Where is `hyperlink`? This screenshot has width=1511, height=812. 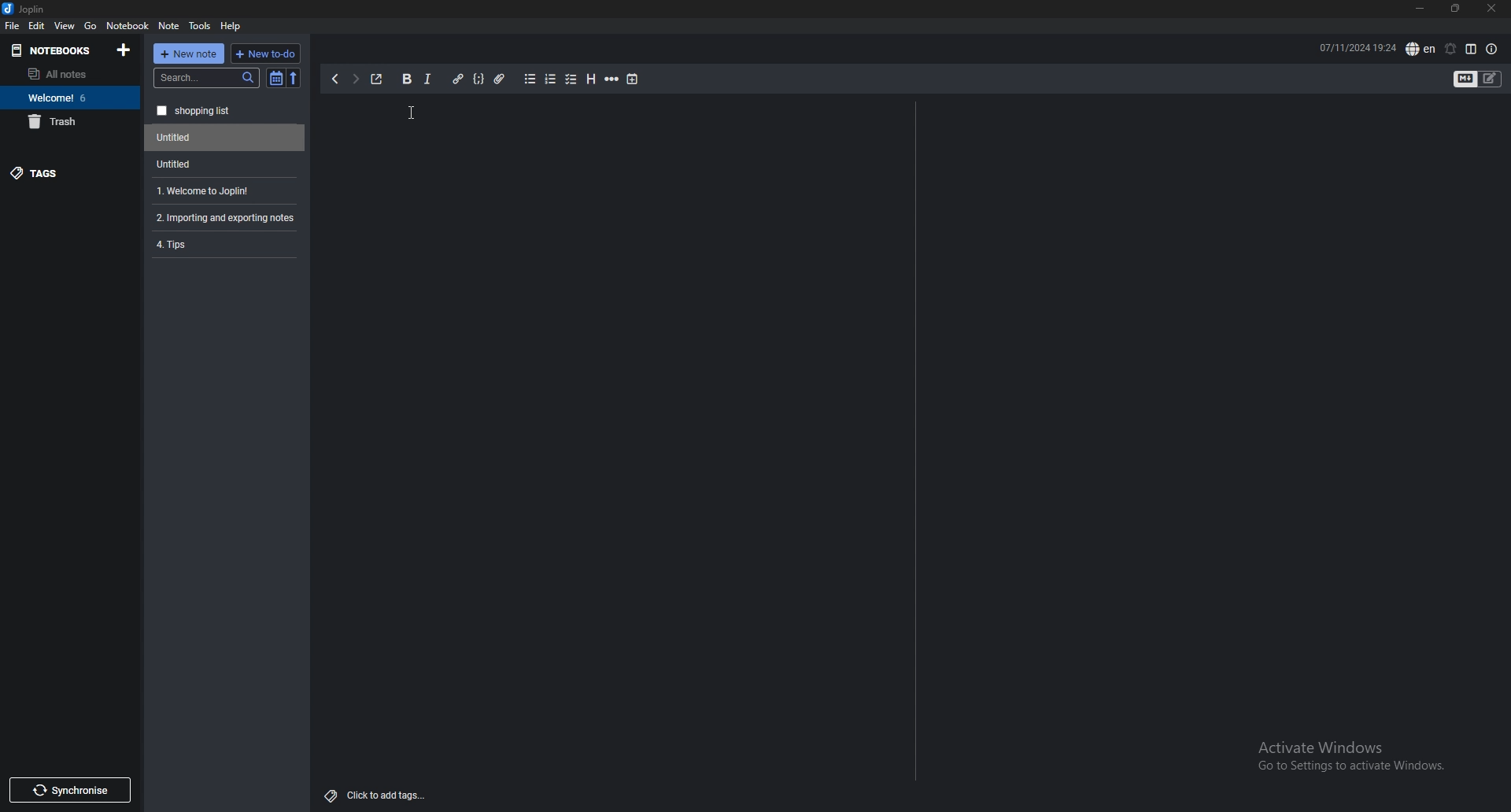
hyperlink is located at coordinates (457, 79).